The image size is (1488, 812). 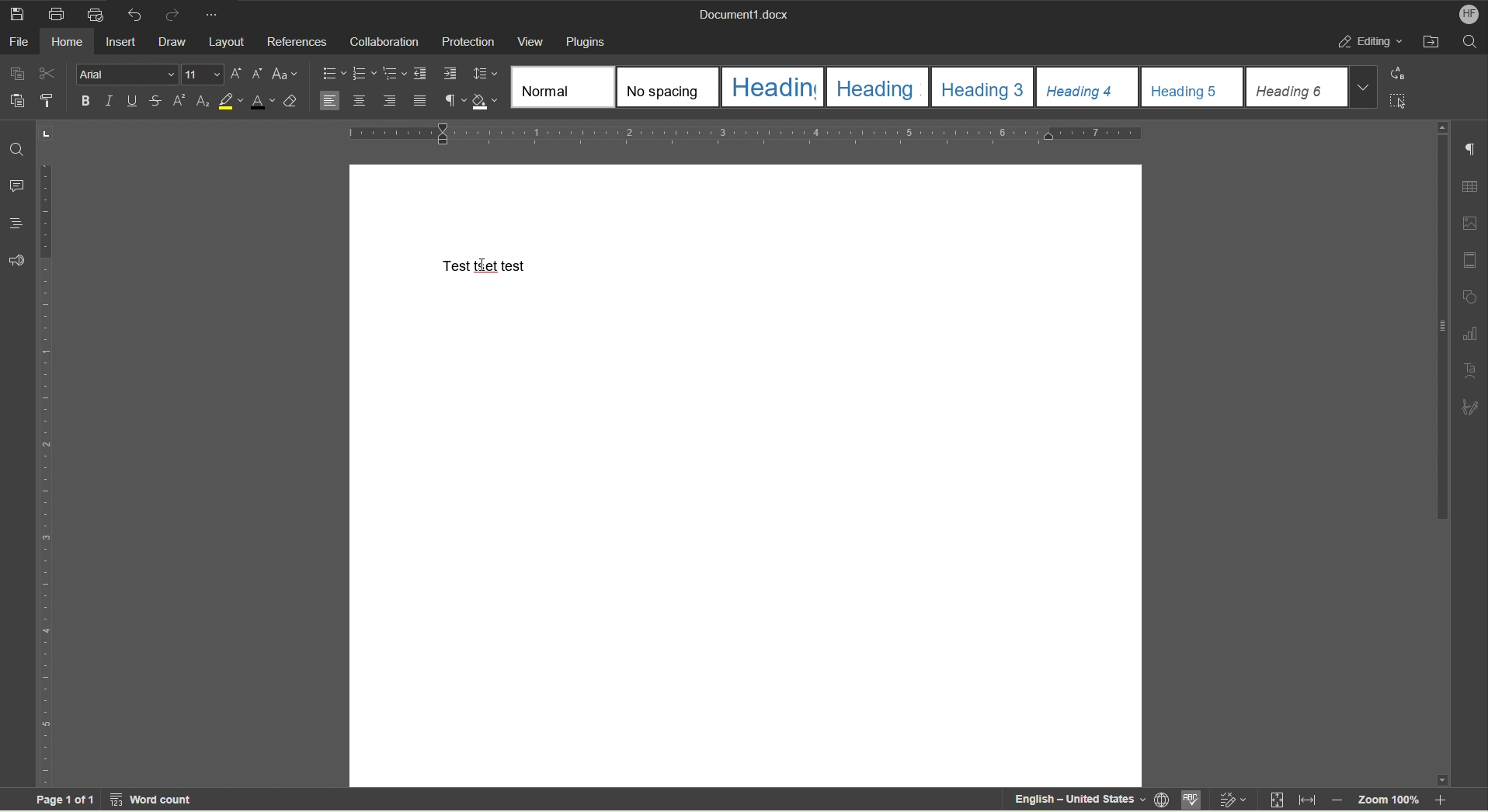 What do you see at coordinates (1194, 88) in the screenshot?
I see `Heading 5` at bounding box center [1194, 88].